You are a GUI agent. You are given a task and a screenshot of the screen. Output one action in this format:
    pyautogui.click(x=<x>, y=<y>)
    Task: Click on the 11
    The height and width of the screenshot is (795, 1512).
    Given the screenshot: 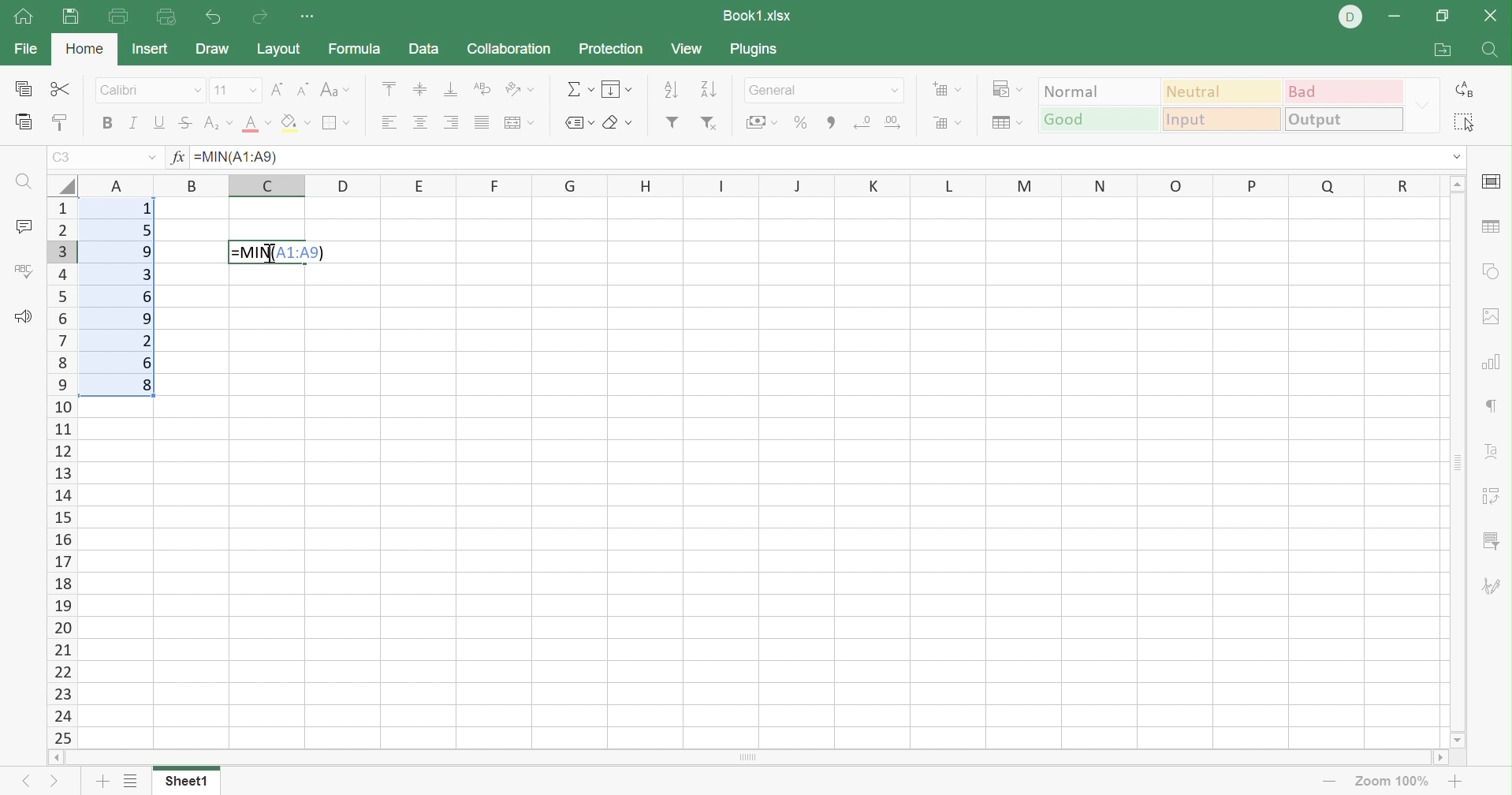 What is the action you would take?
    pyautogui.click(x=222, y=91)
    